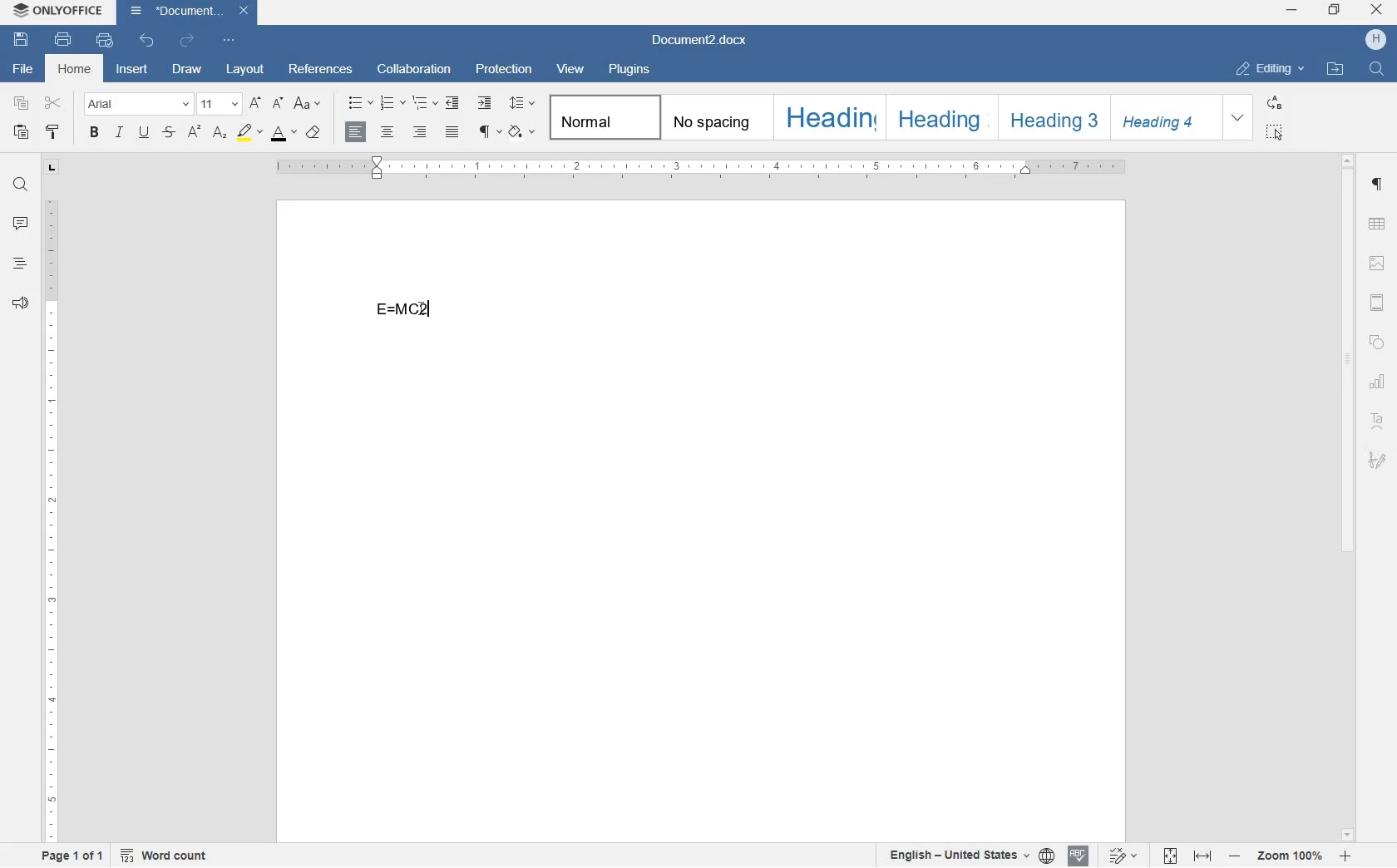 The image size is (1397, 868). What do you see at coordinates (701, 168) in the screenshot?
I see `ruler` at bounding box center [701, 168].